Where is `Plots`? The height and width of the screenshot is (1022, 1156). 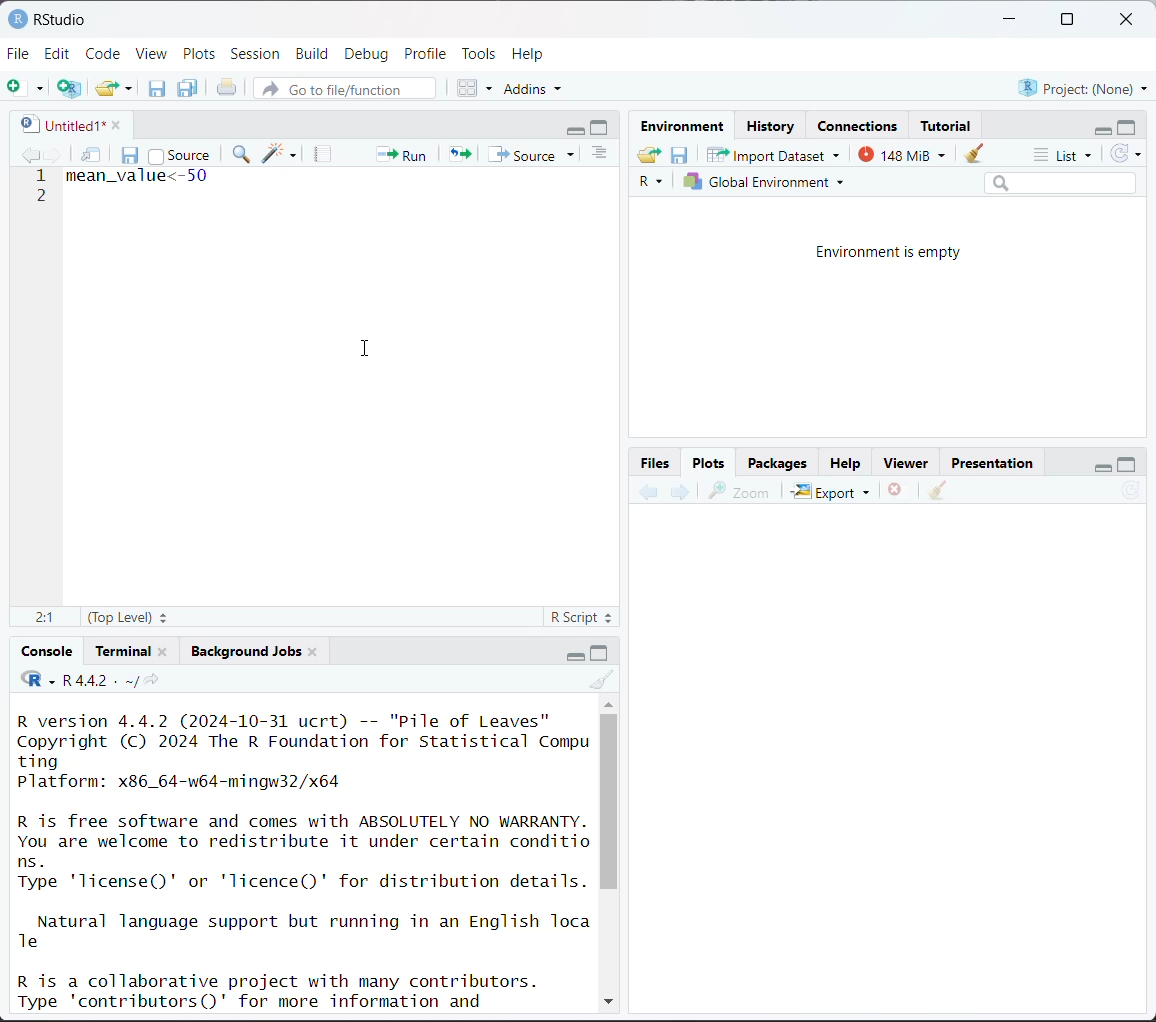
Plots is located at coordinates (709, 461).